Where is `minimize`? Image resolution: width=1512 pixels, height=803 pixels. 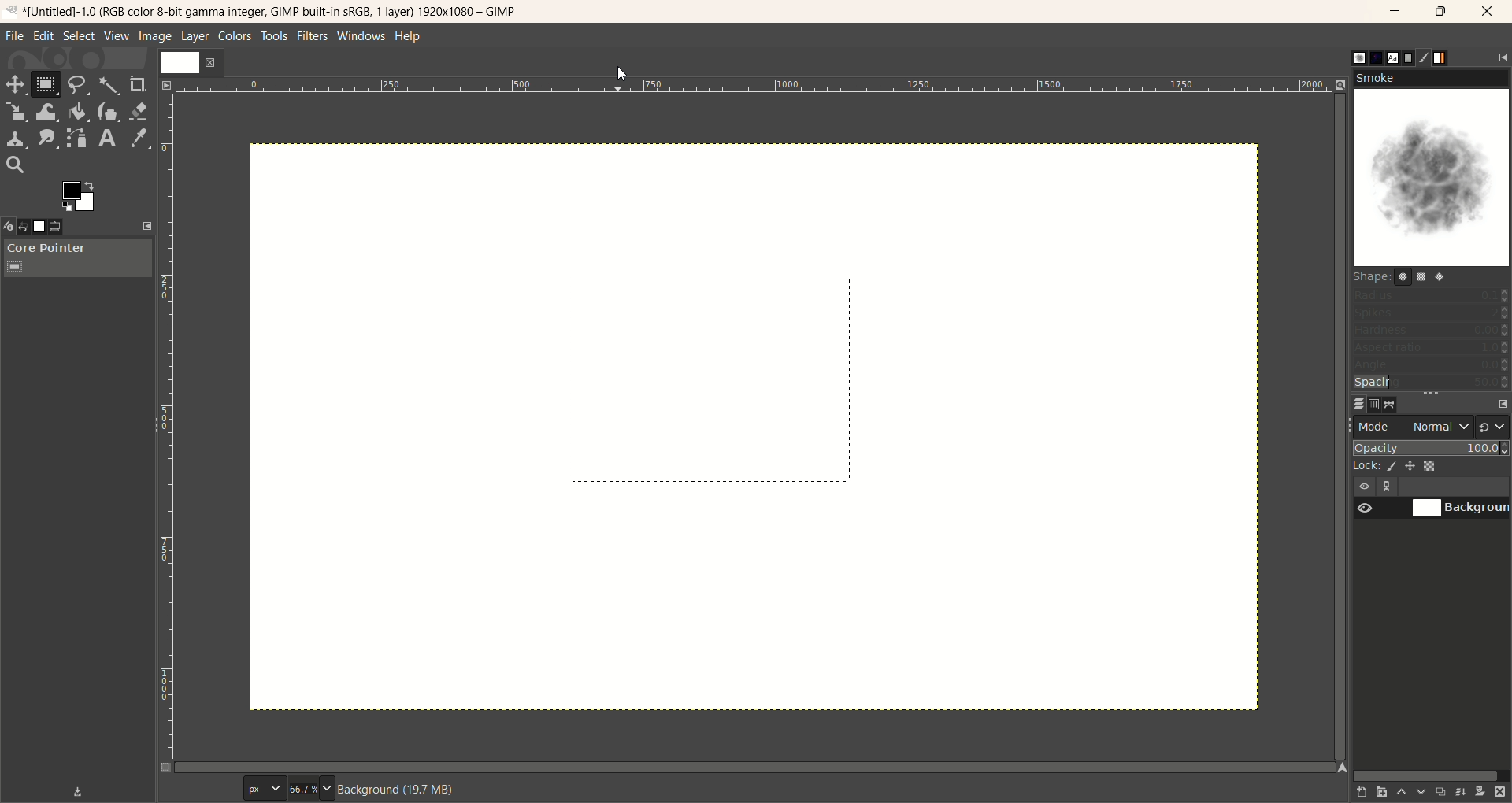
minimize is located at coordinates (1394, 12).